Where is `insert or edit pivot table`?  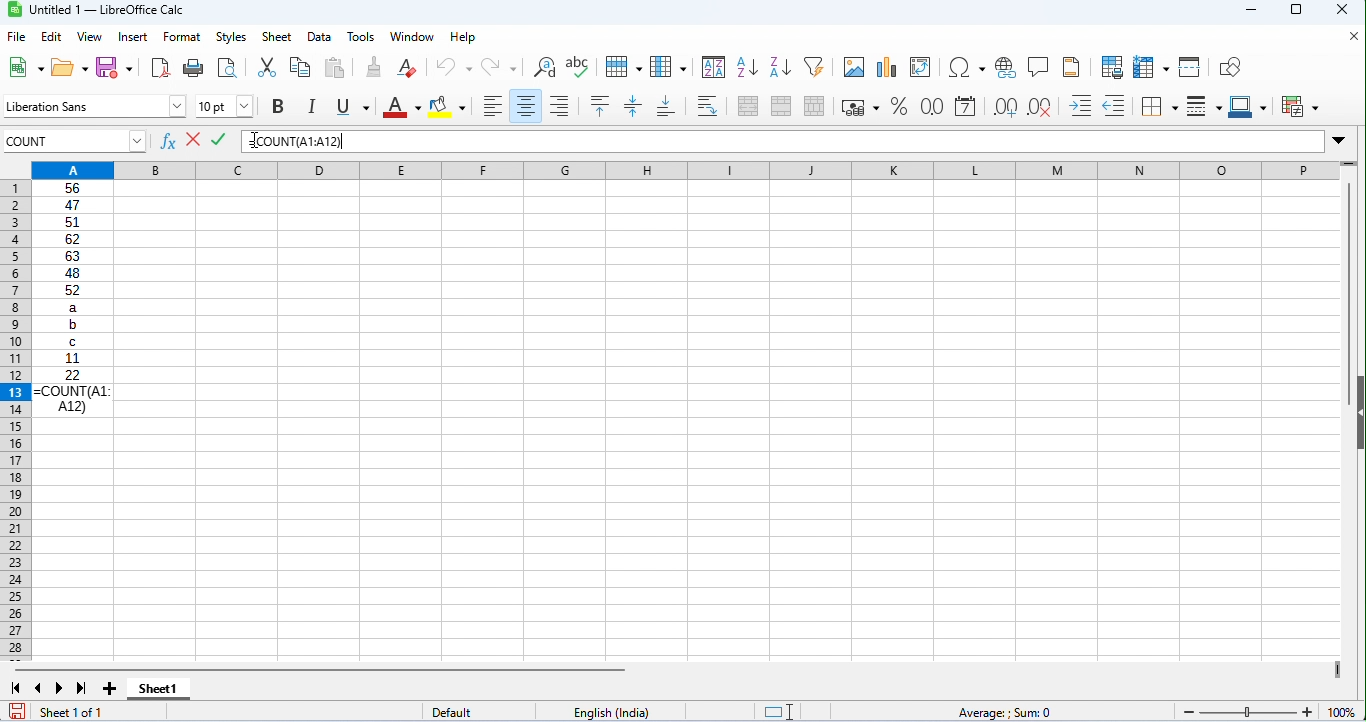
insert or edit pivot table is located at coordinates (922, 67).